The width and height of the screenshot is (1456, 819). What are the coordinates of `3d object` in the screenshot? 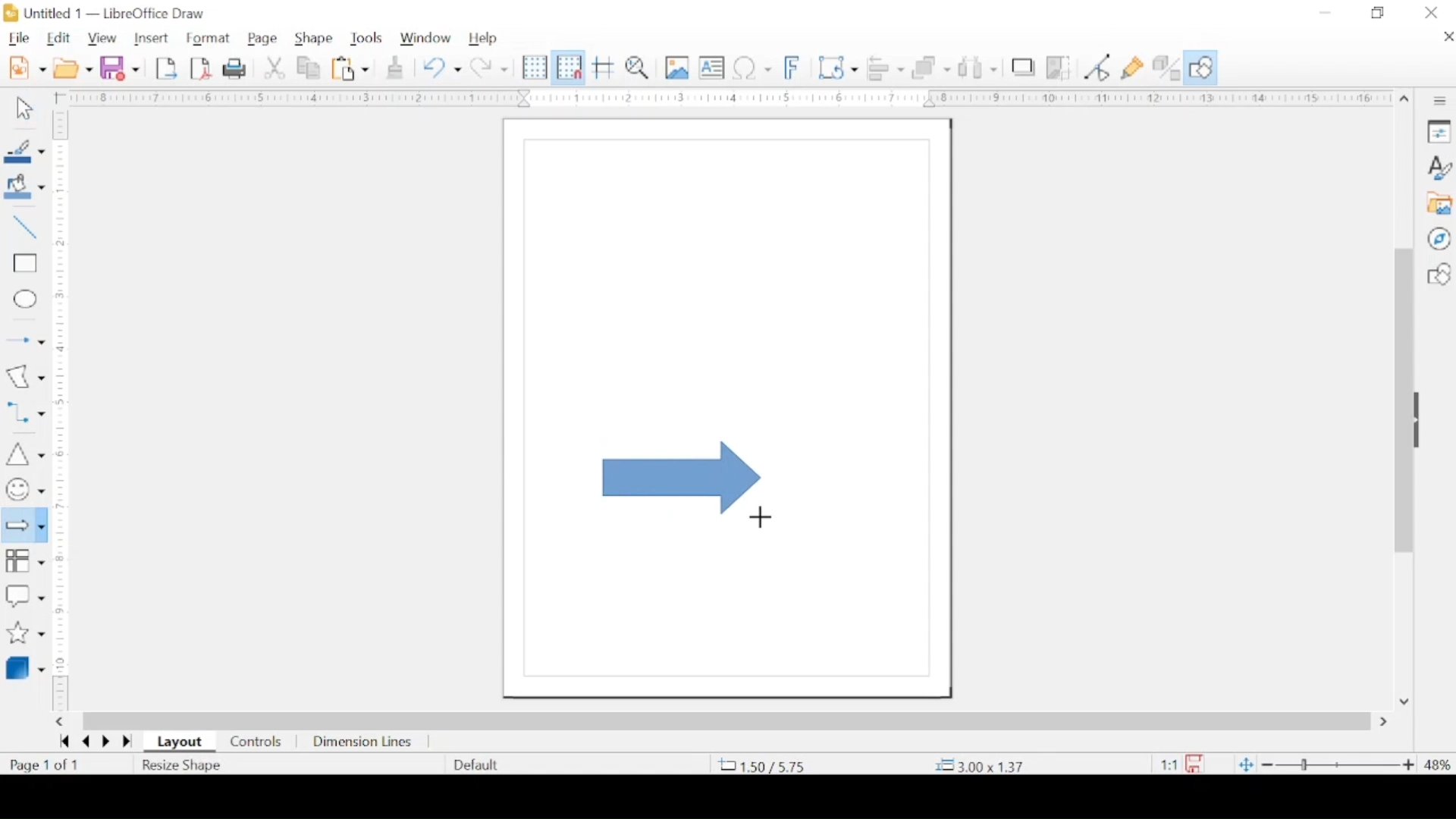 It's located at (27, 667).